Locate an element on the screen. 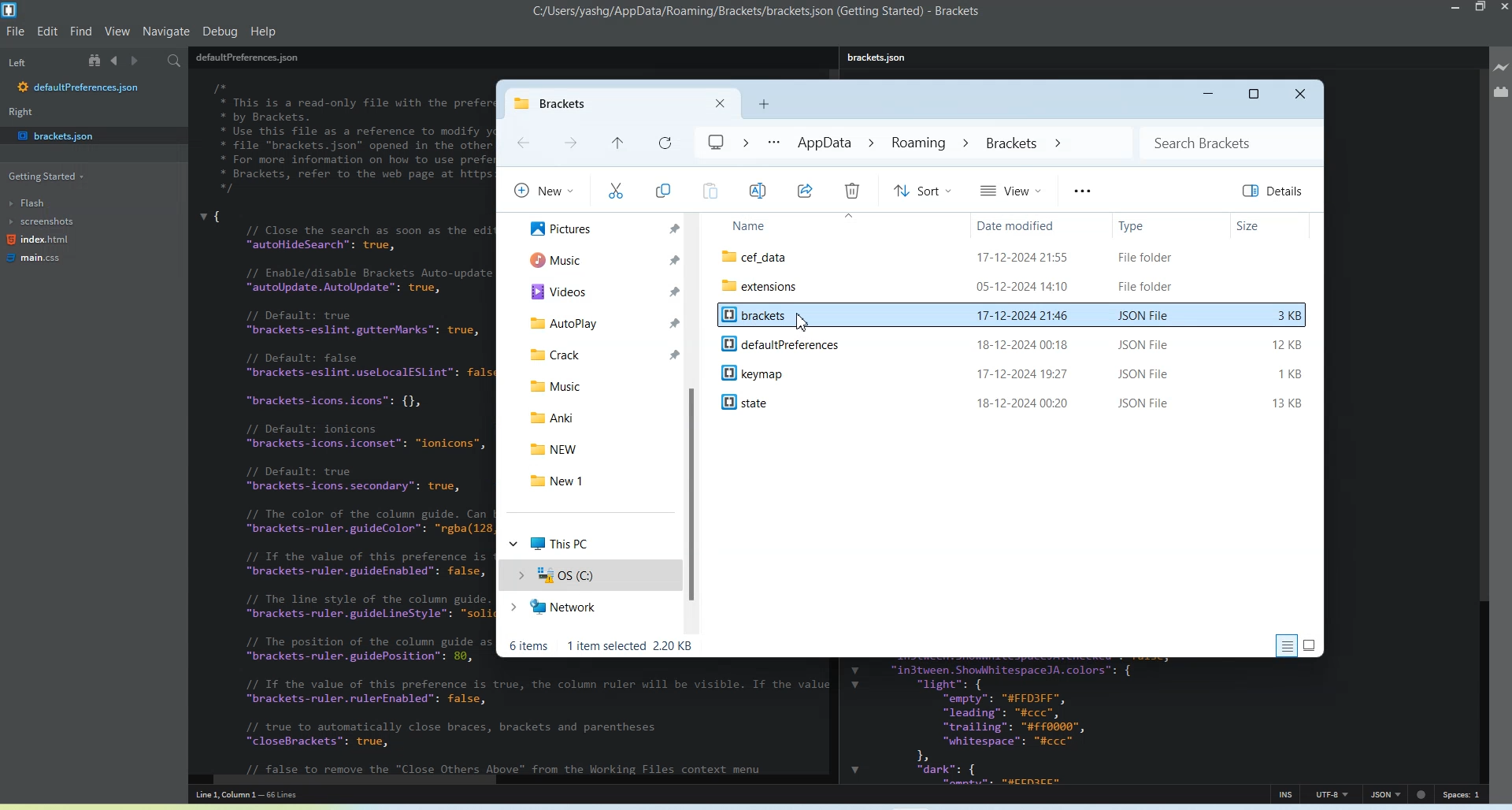  Share is located at coordinates (805, 190).